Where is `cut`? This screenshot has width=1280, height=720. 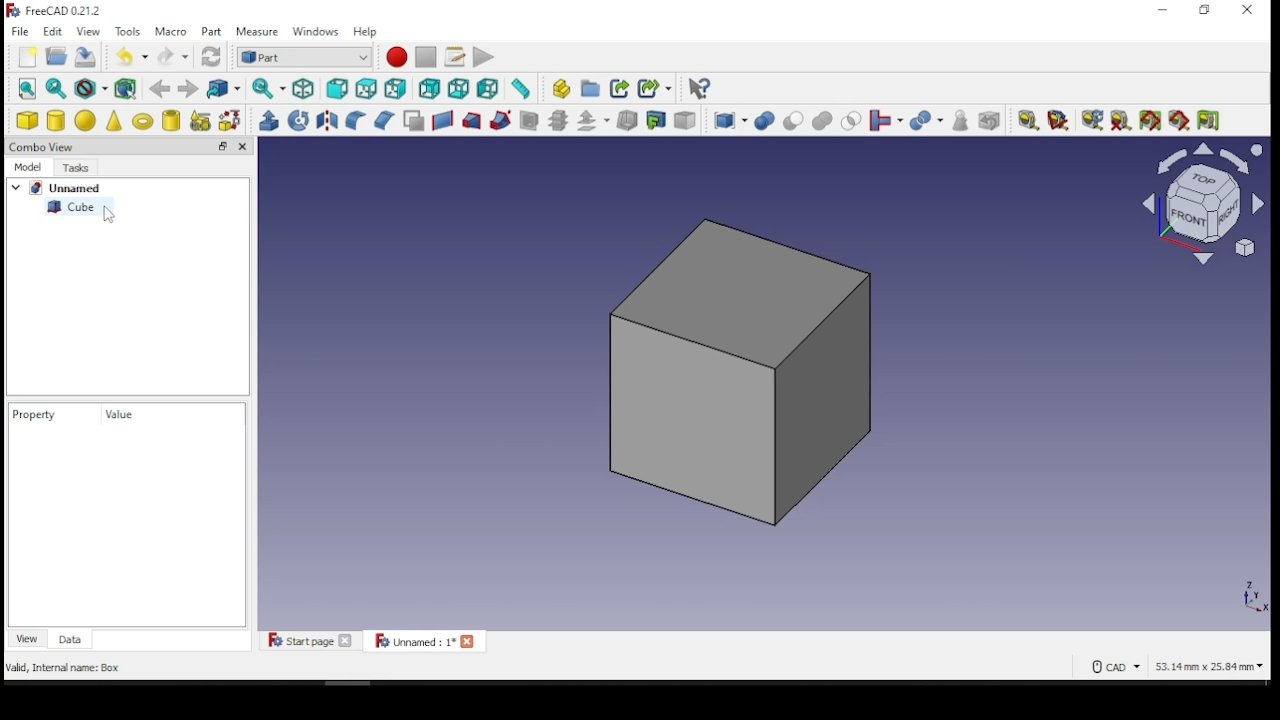
cut is located at coordinates (794, 120).